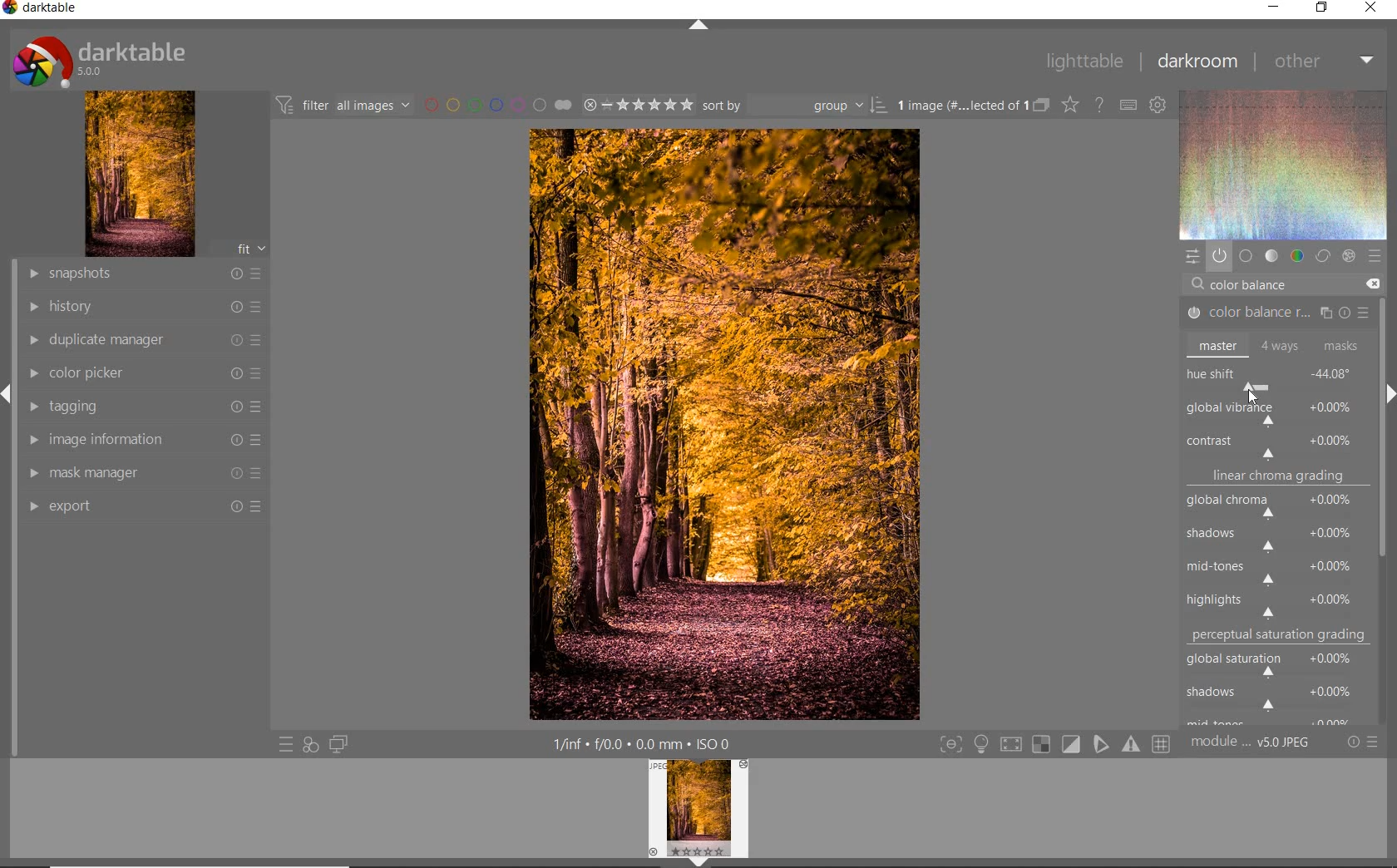 The image size is (1397, 868). Describe the element at coordinates (1374, 255) in the screenshot. I see `preset` at that location.